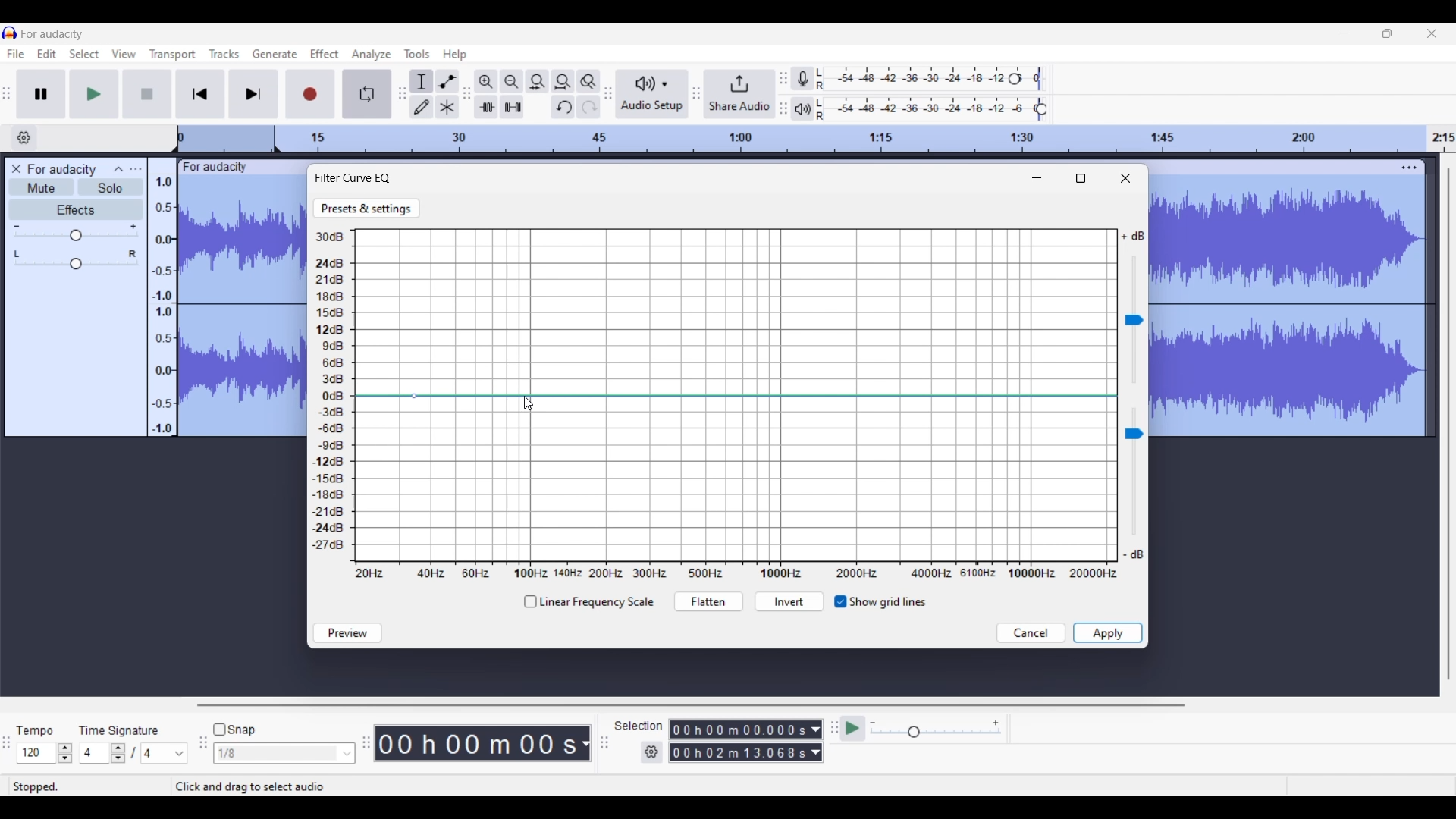  I want to click on Select menu, so click(84, 55).